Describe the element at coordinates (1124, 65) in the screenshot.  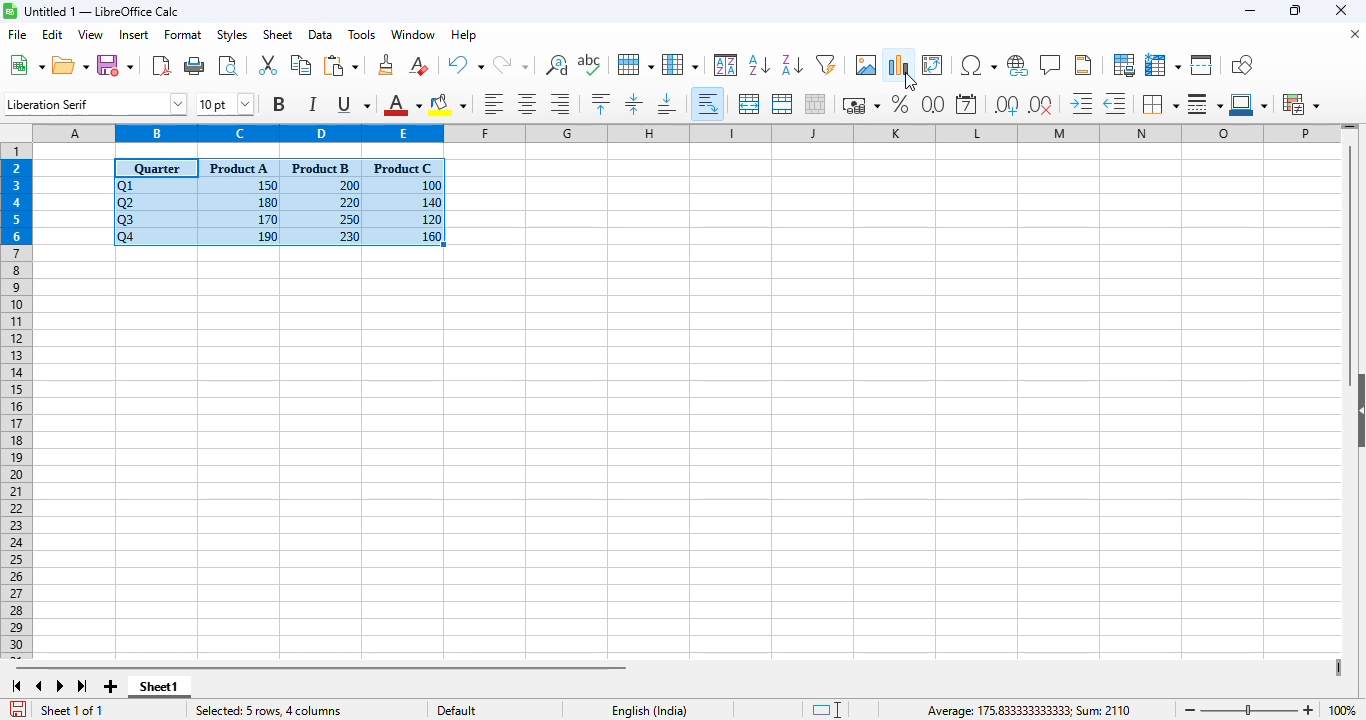
I see `define print area` at that location.